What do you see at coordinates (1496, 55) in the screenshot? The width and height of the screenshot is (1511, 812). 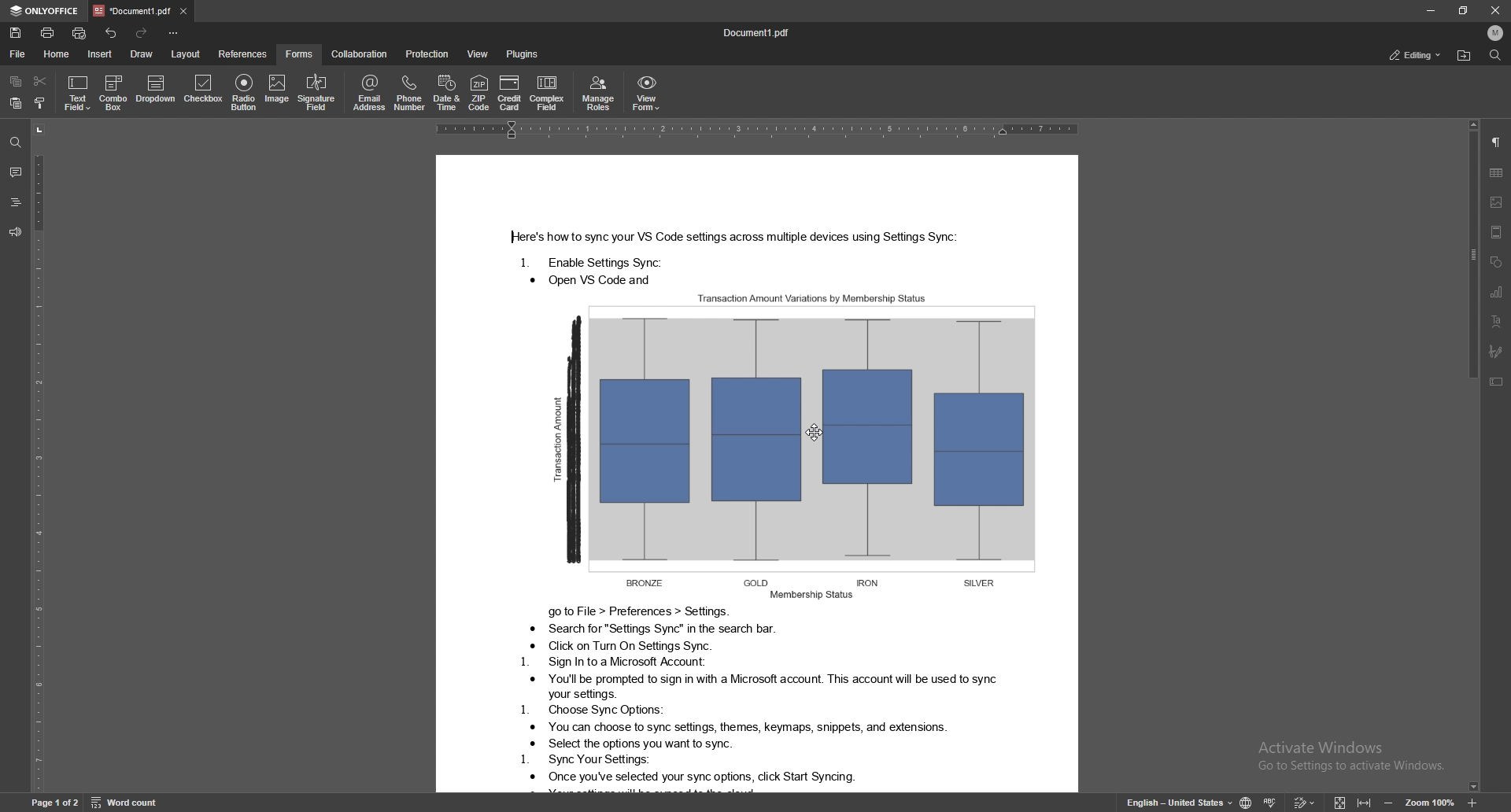 I see `find` at bounding box center [1496, 55].